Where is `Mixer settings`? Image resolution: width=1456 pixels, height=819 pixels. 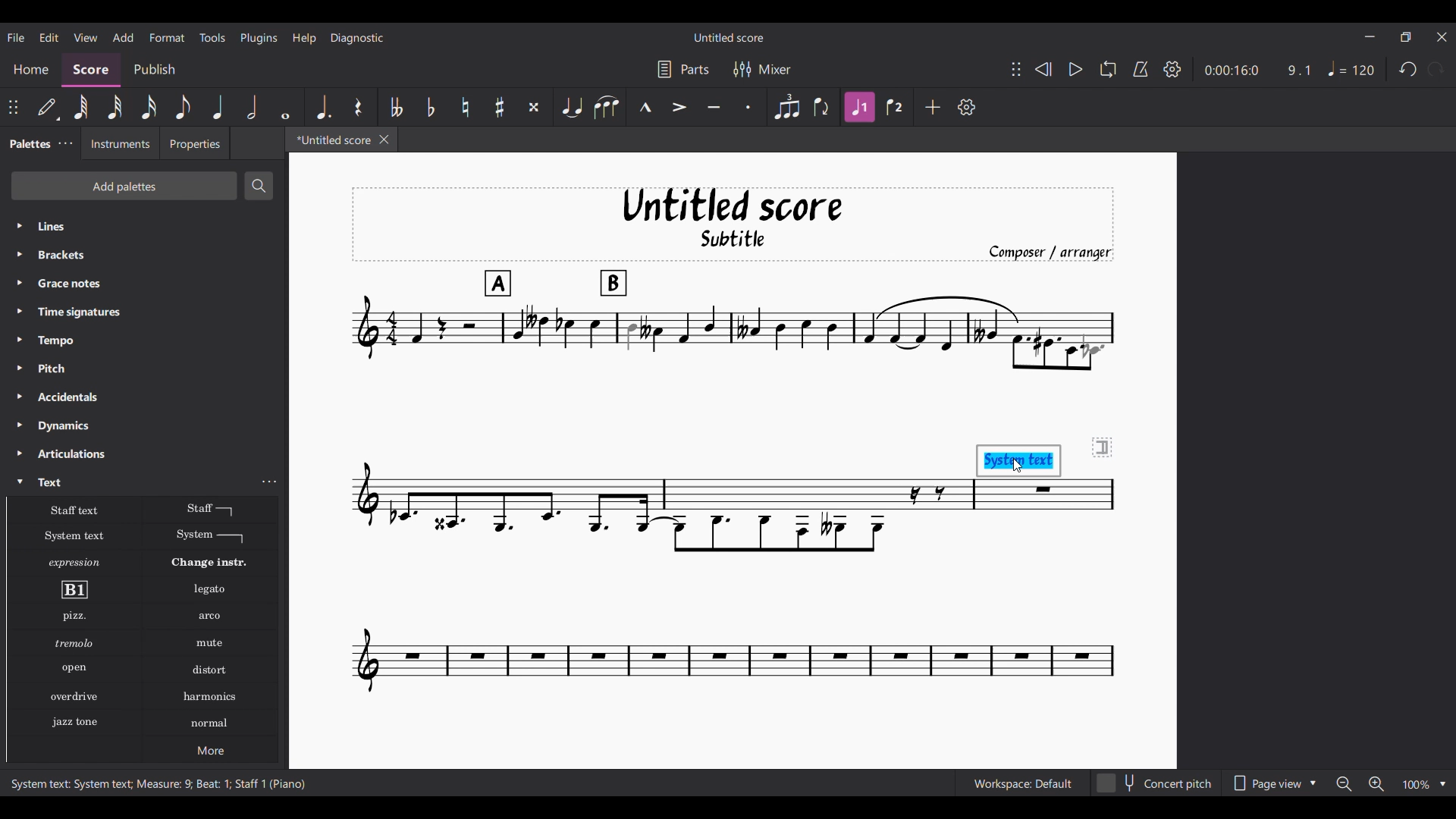
Mixer settings is located at coordinates (762, 70).